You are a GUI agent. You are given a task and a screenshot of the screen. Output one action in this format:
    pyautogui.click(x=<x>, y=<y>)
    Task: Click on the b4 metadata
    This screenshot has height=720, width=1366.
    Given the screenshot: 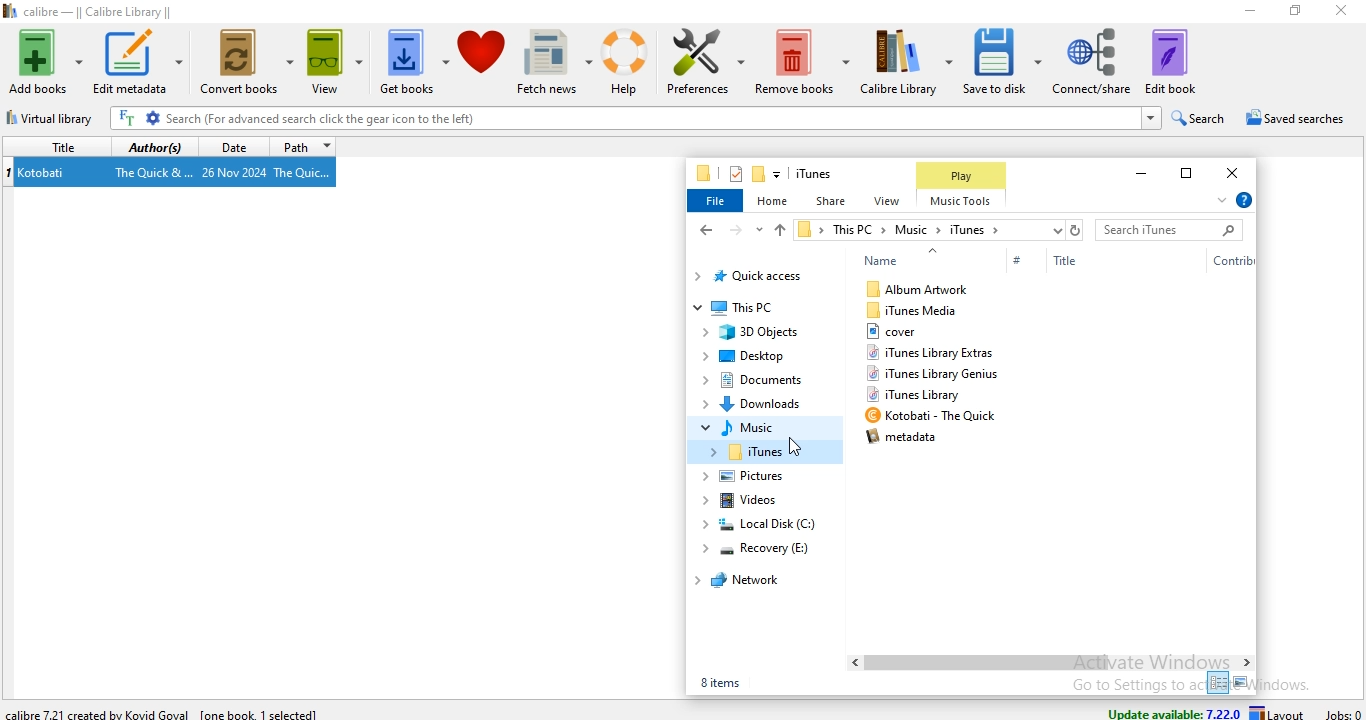 What is the action you would take?
    pyautogui.click(x=908, y=437)
    